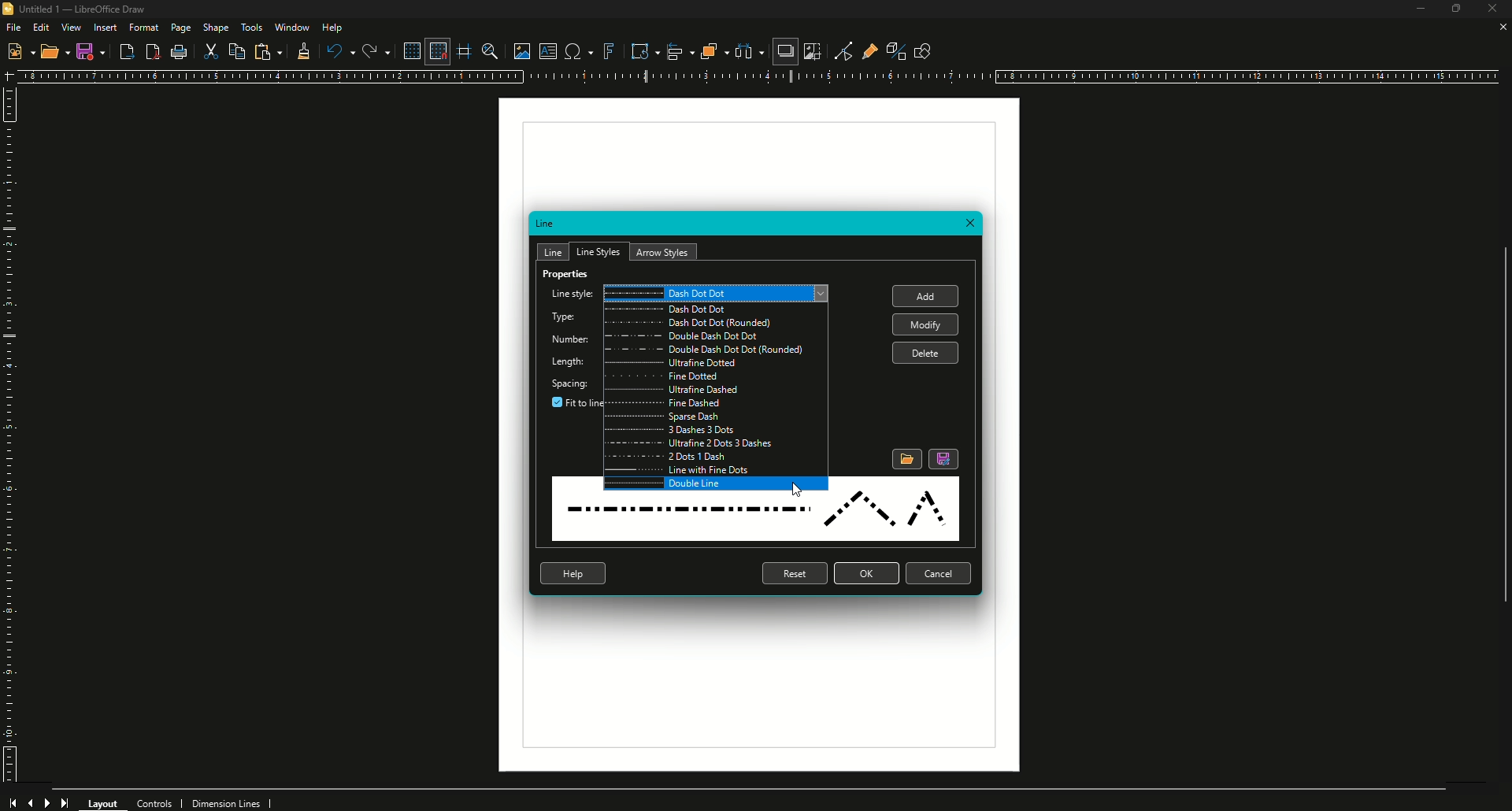 Image resolution: width=1512 pixels, height=811 pixels. What do you see at coordinates (408, 50) in the screenshot?
I see `Display Grid` at bounding box center [408, 50].